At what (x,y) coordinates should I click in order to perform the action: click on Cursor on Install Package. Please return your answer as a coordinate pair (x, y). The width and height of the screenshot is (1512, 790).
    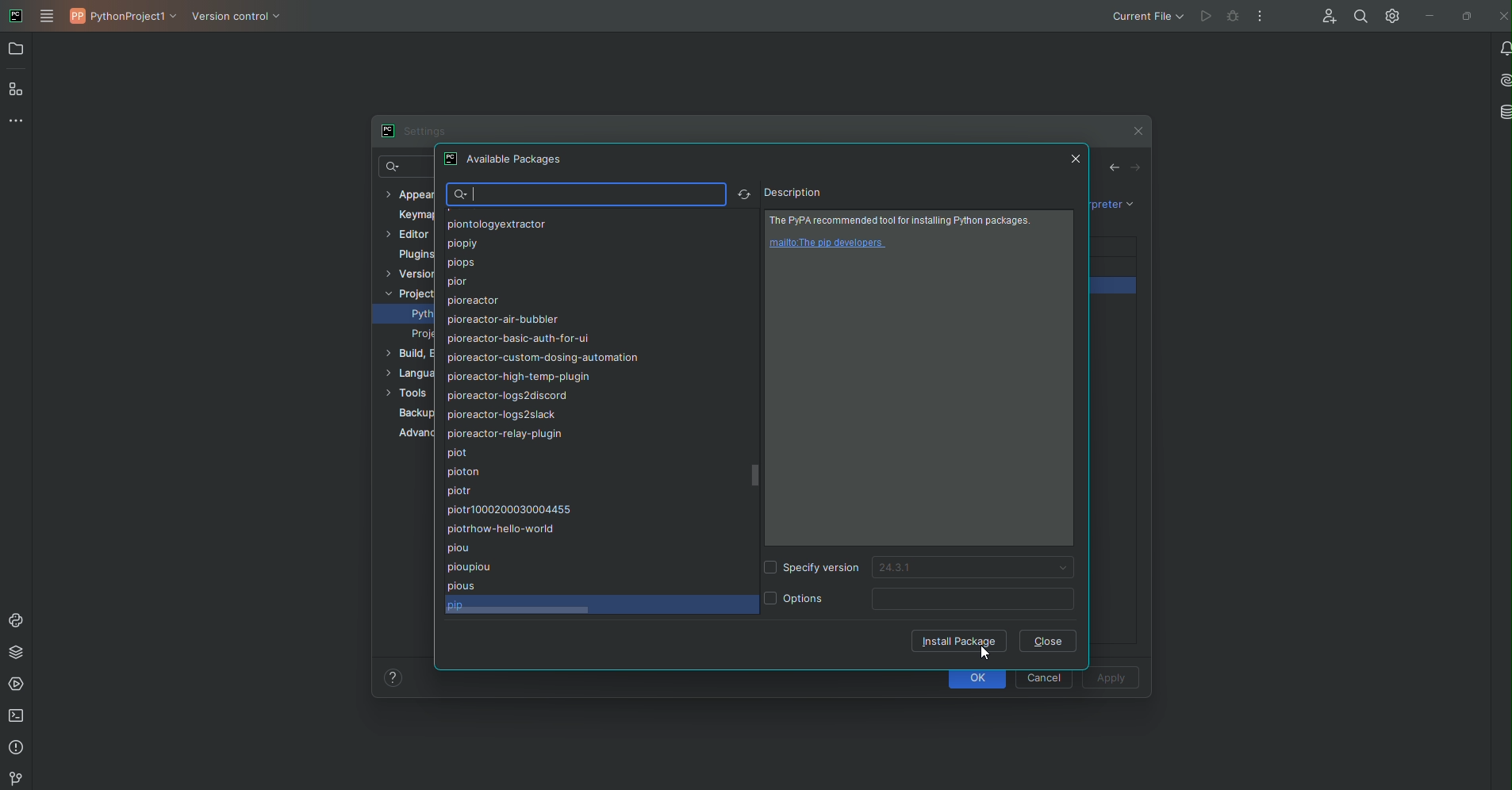
    Looking at the image, I should click on (984, 654).